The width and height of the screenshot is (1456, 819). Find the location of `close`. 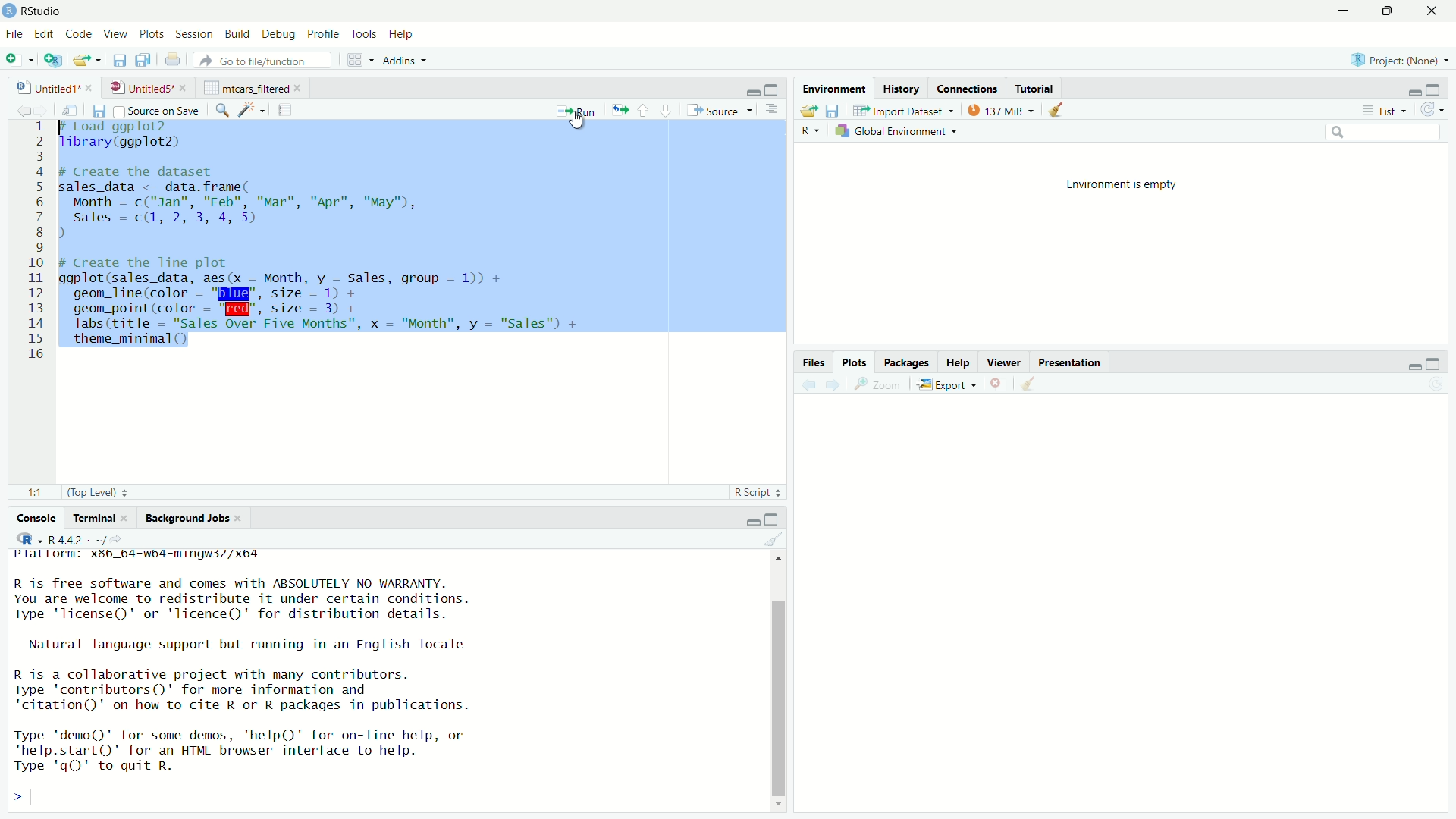

close is located at coordinates (89, 87).